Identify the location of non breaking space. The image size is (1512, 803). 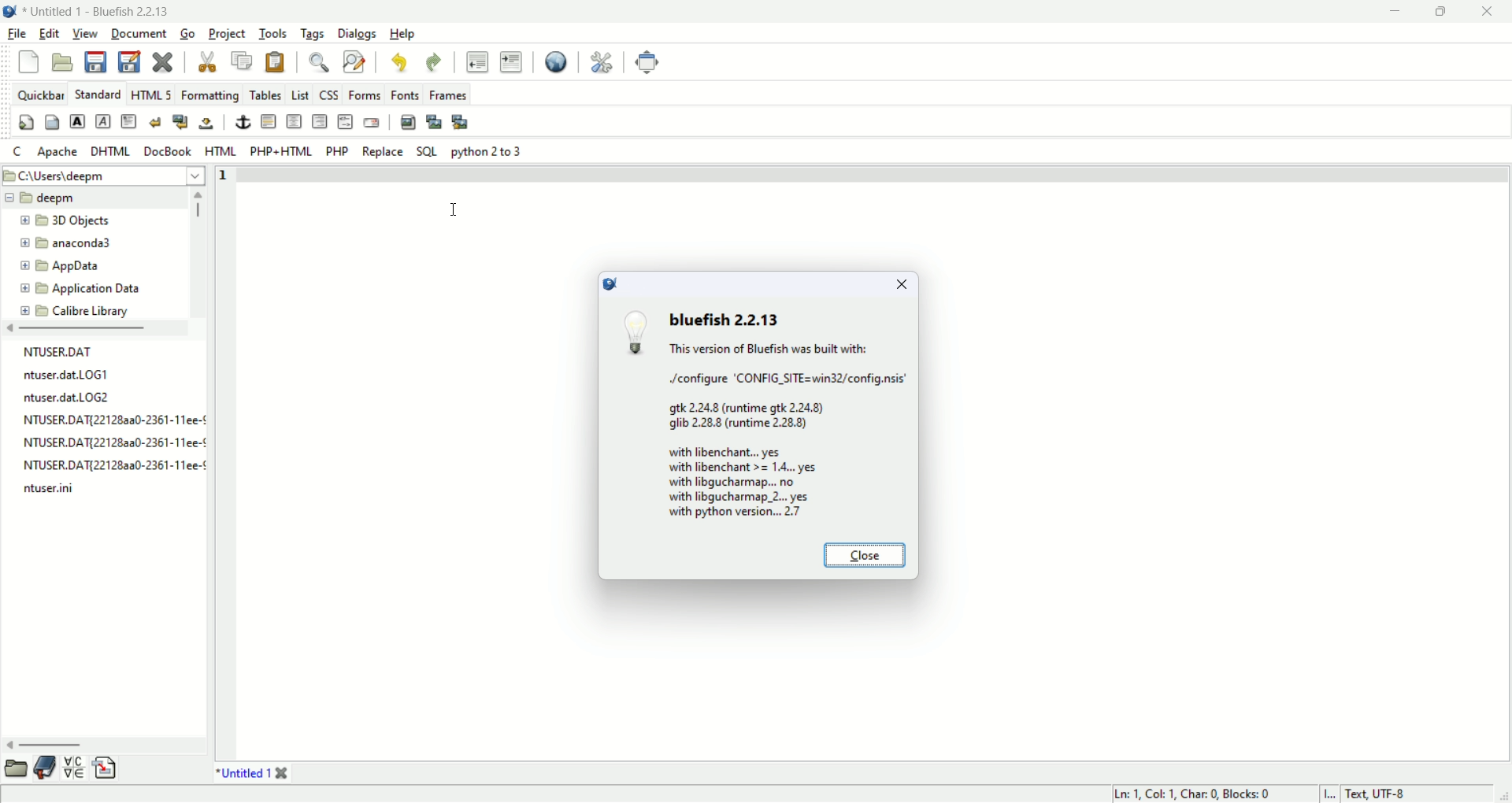
(208, 121).